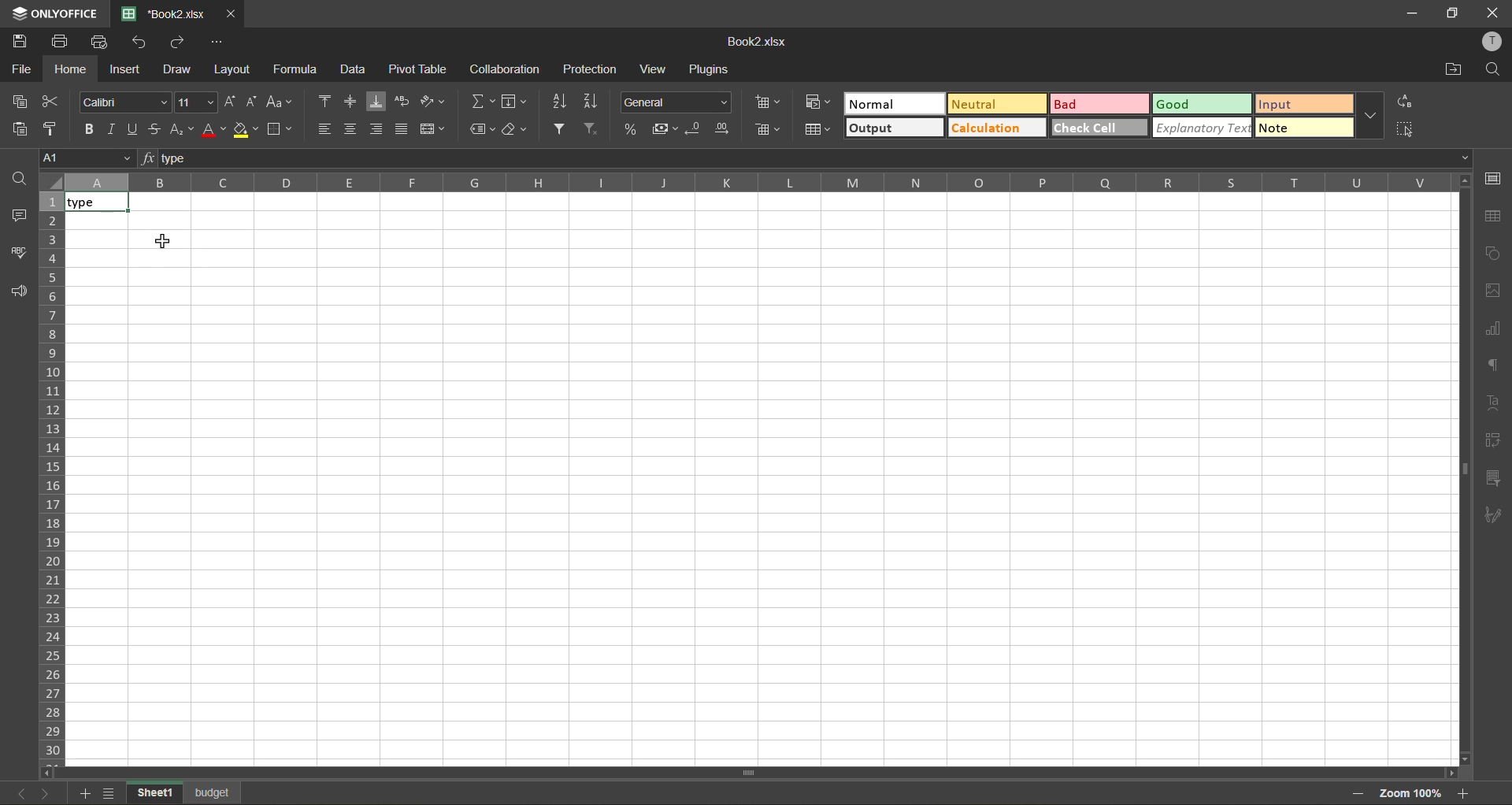  I want to click on maximize, so click(1452, 12).